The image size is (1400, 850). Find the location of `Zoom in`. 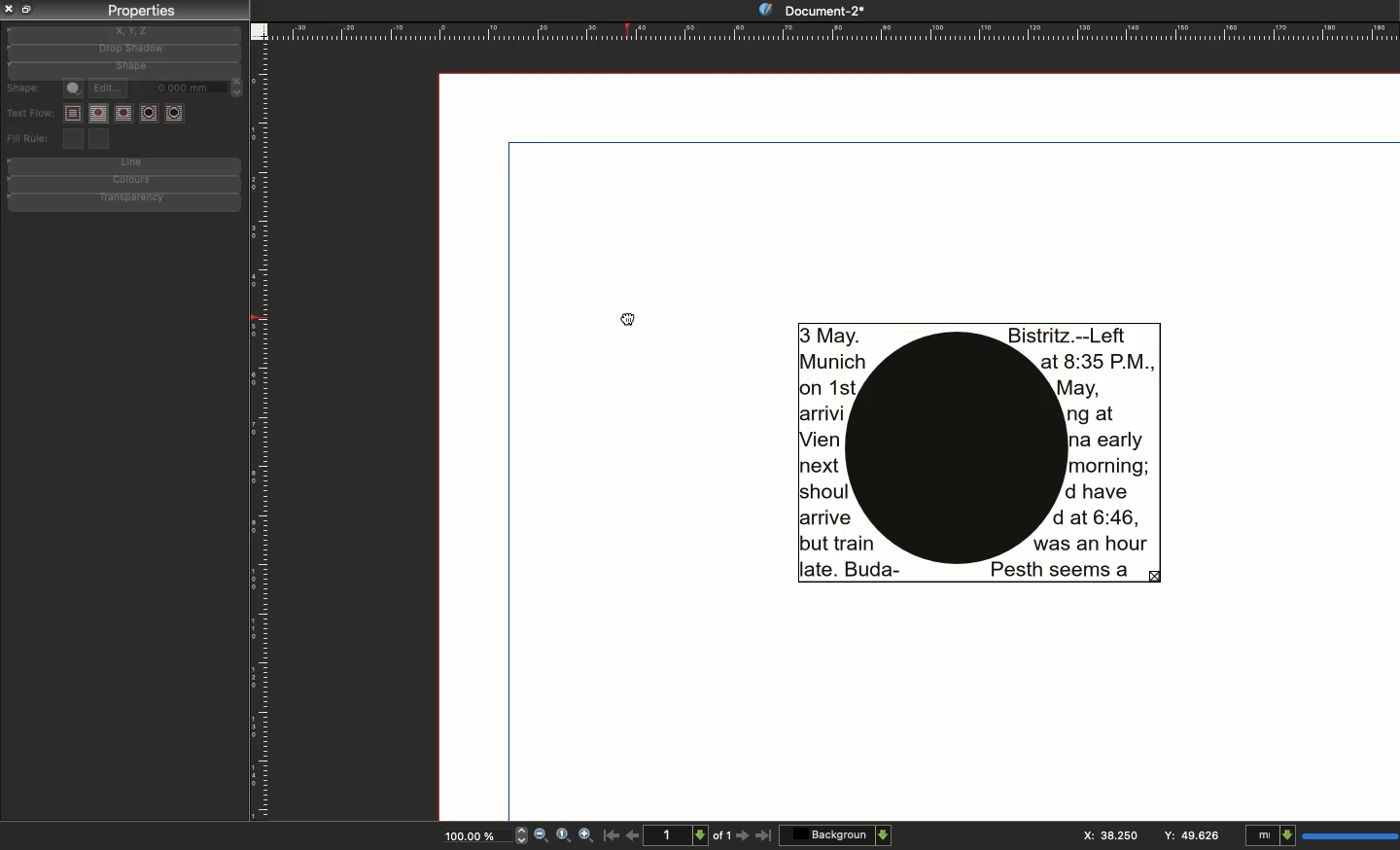

Zoom in is located at coordinates (583, 836).